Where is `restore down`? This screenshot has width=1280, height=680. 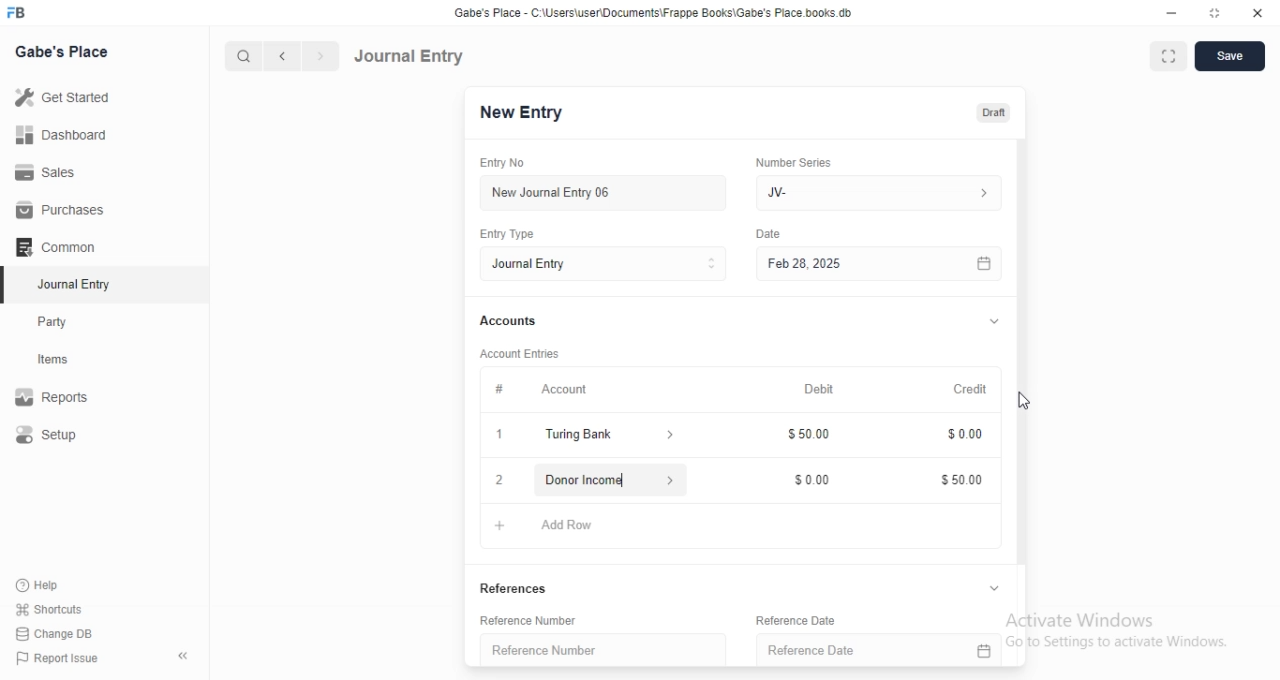 restore down is located at coordinates (1216, 15).